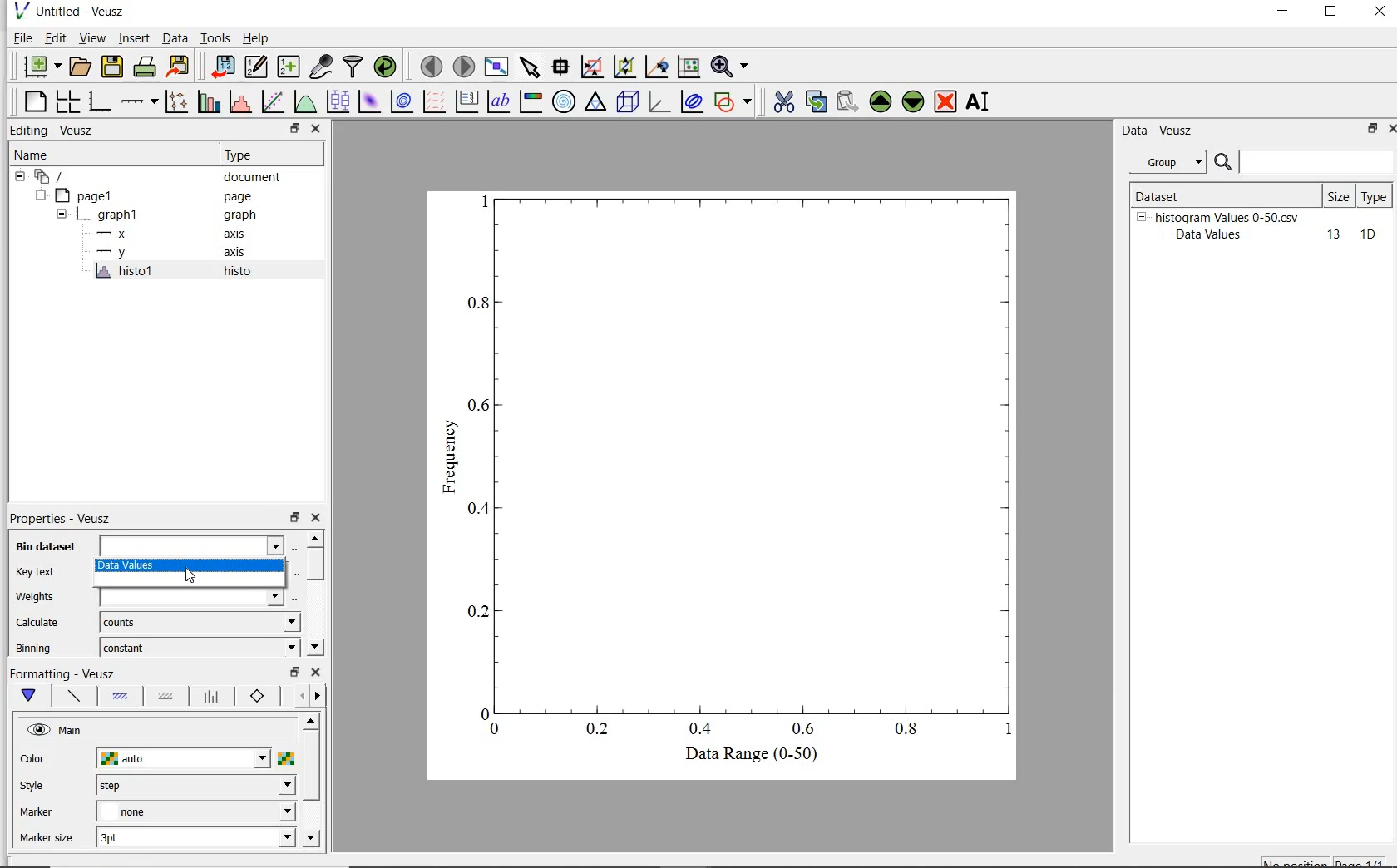 The height and width of the screenshot is (868, 1397). What do you see at coordinates (754, 755) in the screenshot?
I see `Data Range (0-50)` at bounding box center [754, 755].